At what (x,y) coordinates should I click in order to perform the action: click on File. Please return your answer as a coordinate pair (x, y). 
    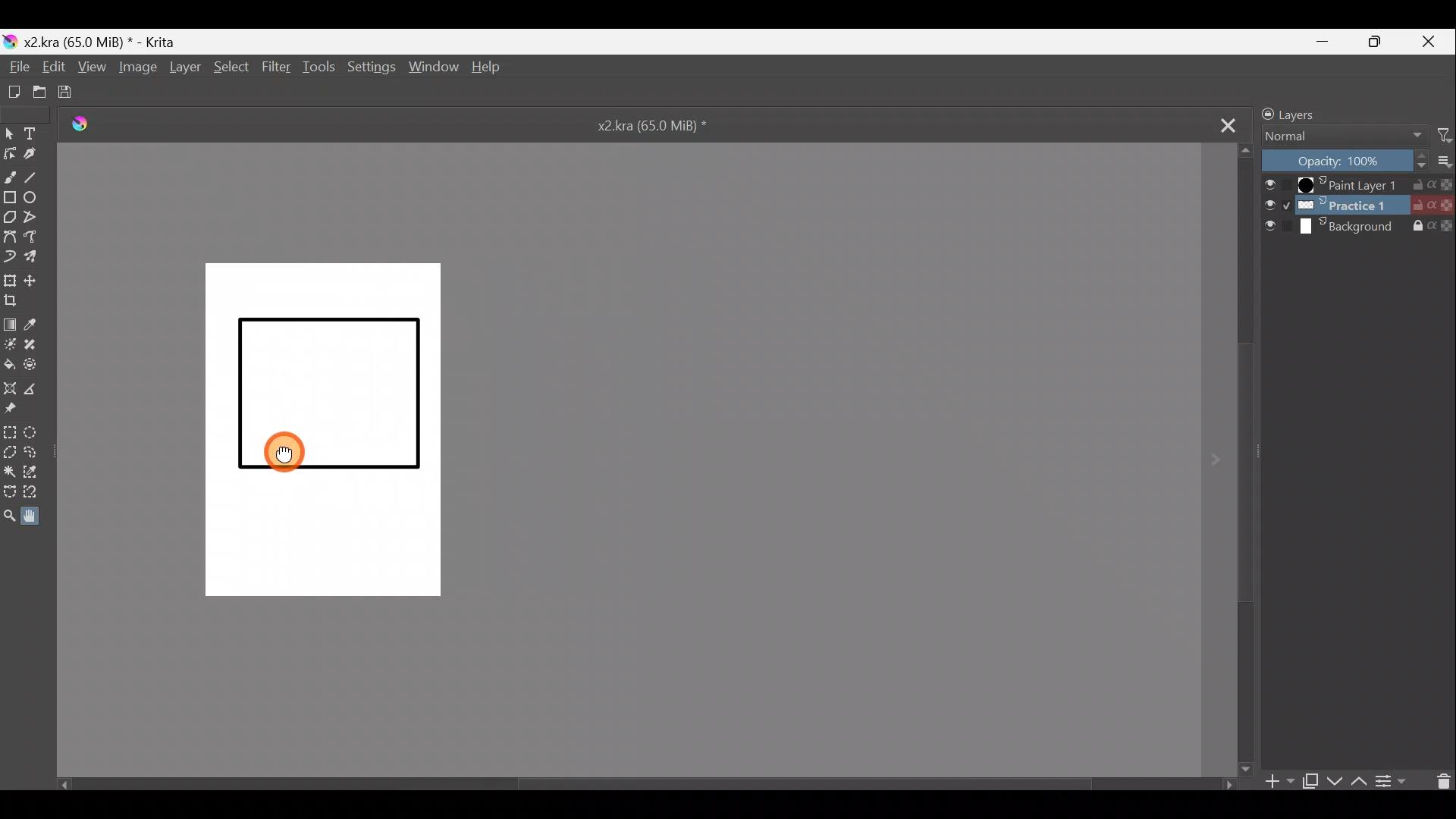
    Looking at the image, I should click on (17, 67).